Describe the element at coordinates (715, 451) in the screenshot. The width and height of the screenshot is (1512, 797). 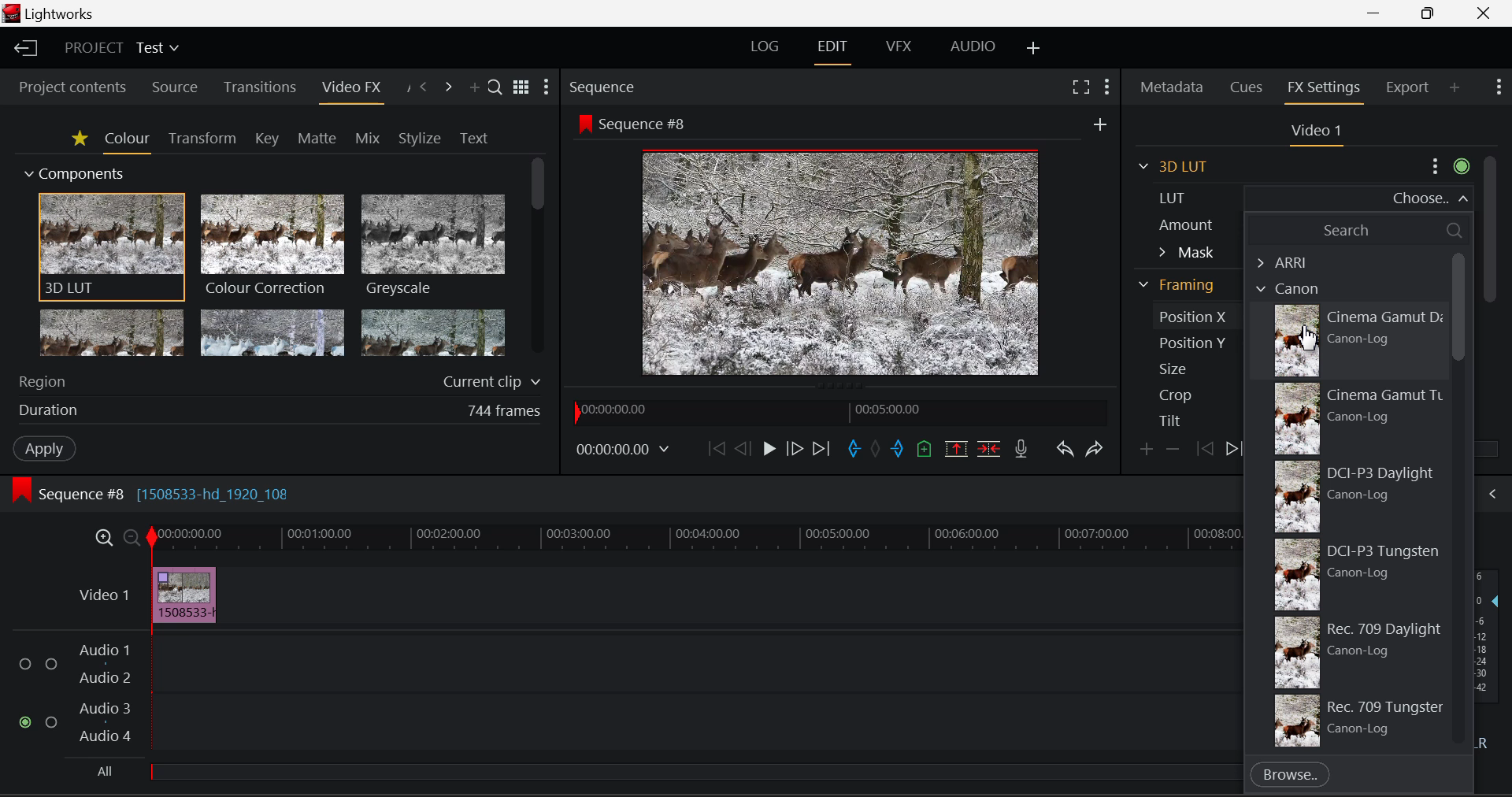
I see `To Start` at that location.